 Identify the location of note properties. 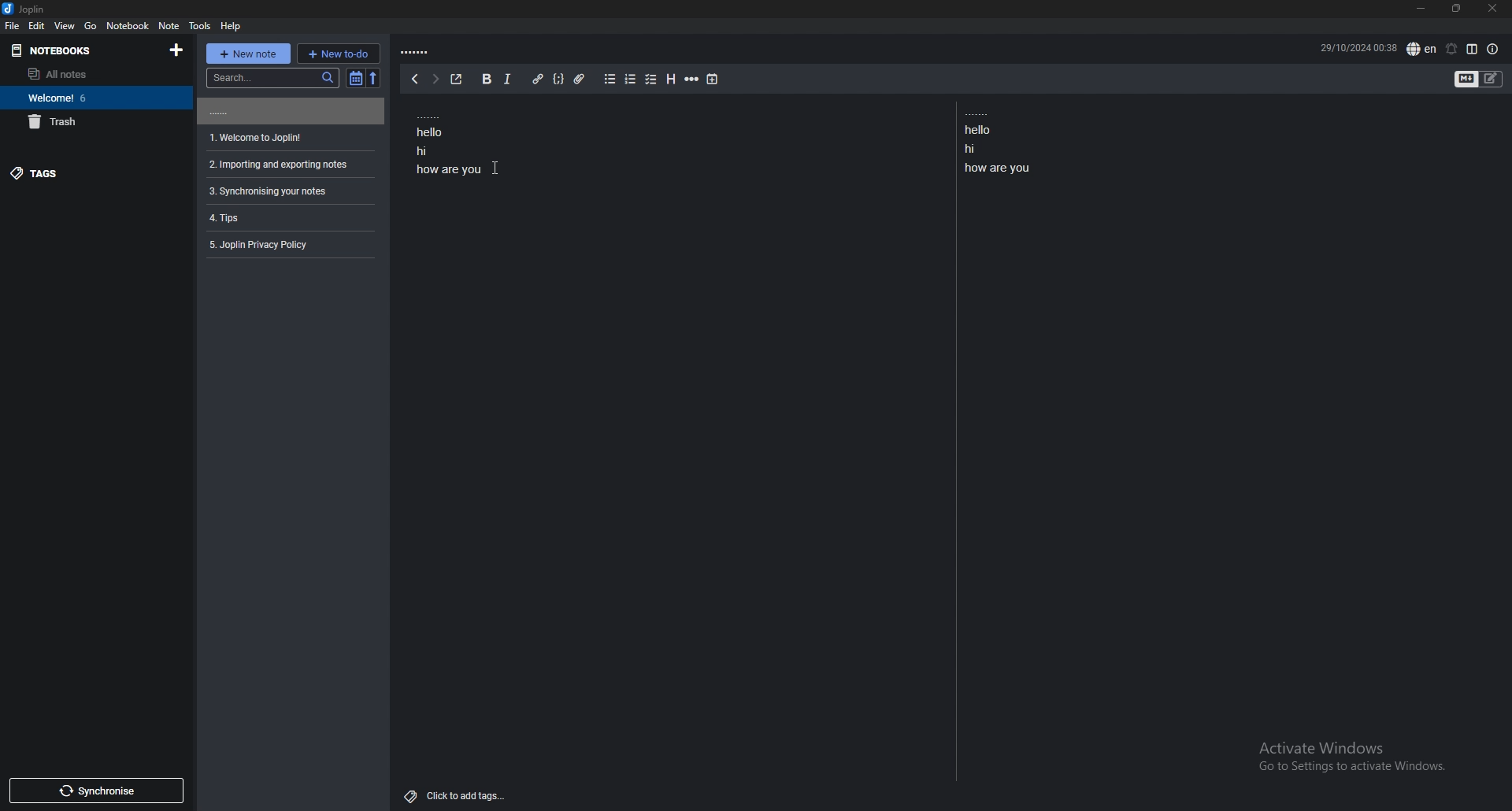
(1492, 50).